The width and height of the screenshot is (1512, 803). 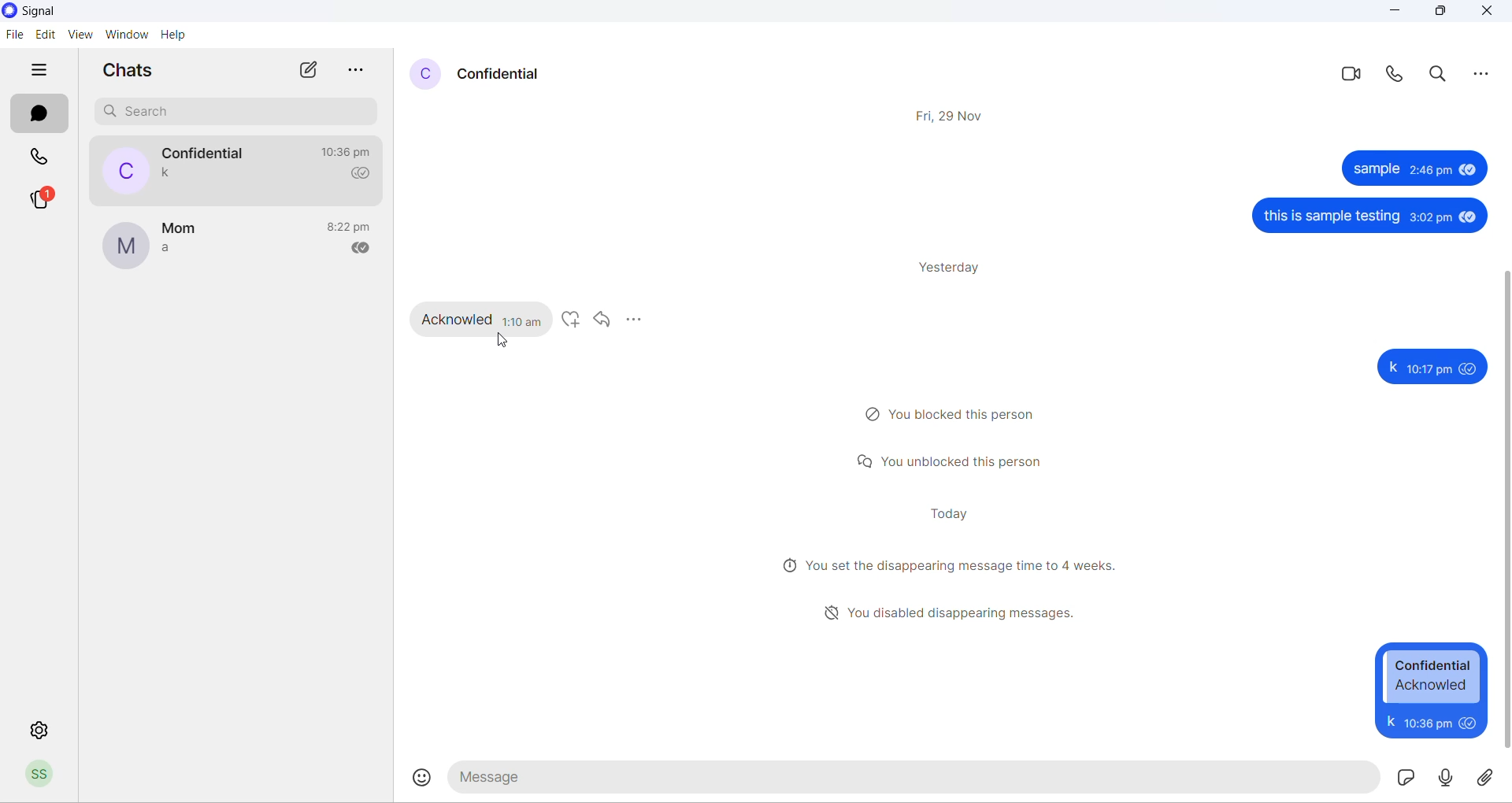 I want to click on search chat, so click(x=237, y=113).